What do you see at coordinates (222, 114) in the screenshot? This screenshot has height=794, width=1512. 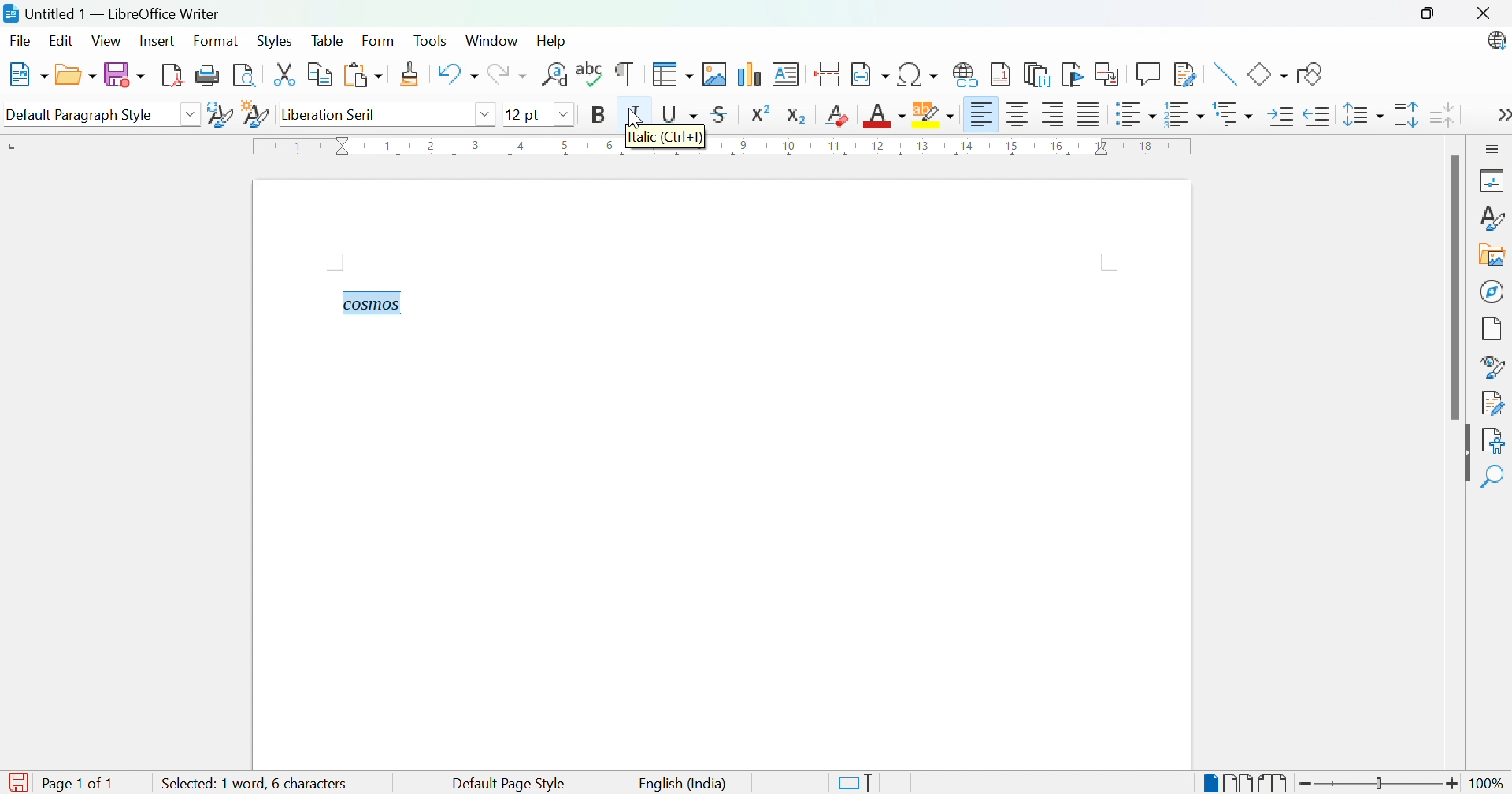 I see `Update selected style` at bounding box center [222, 114].